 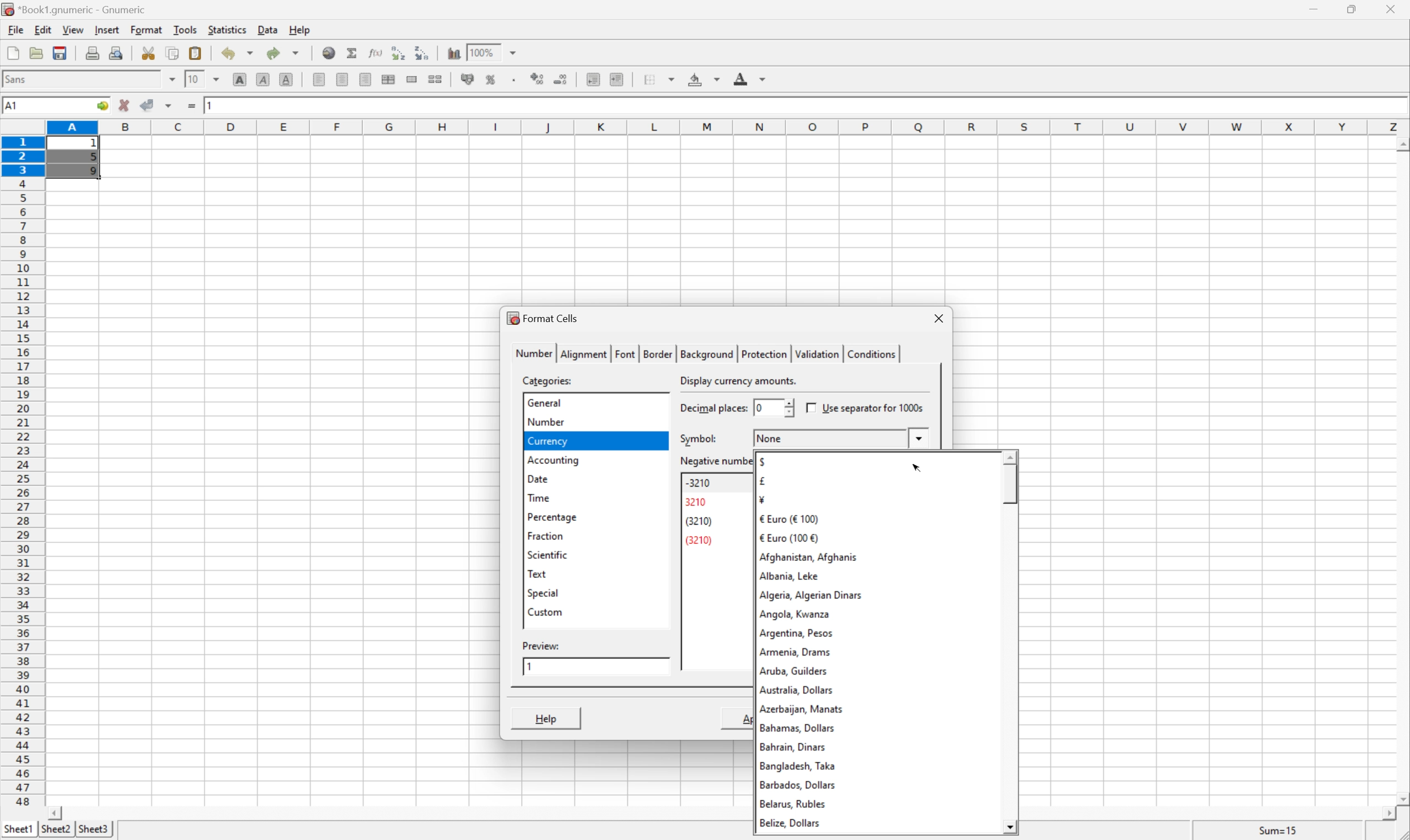 I want to click on scroll left, so click(x=54, y=814).